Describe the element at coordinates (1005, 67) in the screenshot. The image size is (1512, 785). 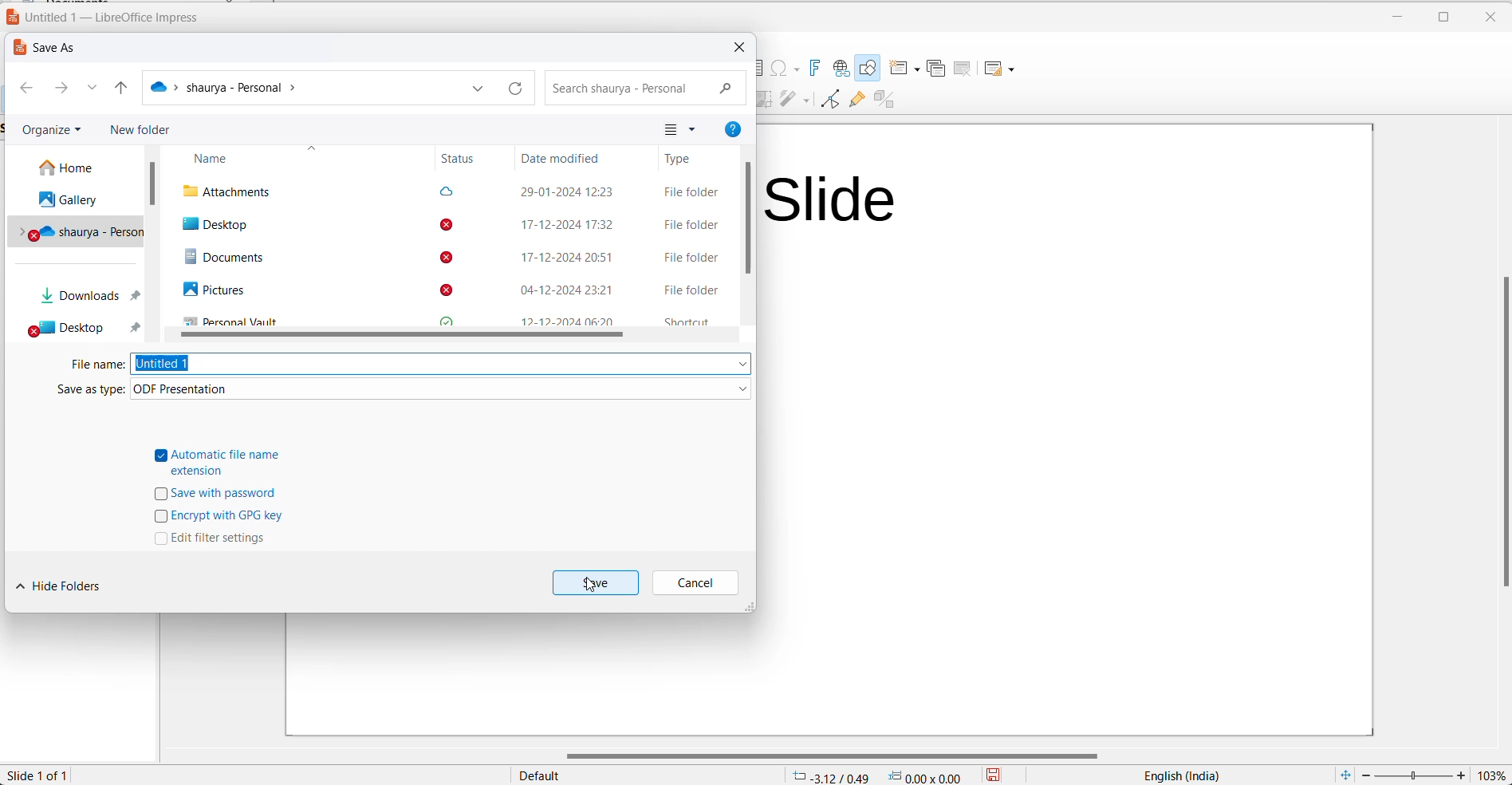
I see `slide layout` at that location.